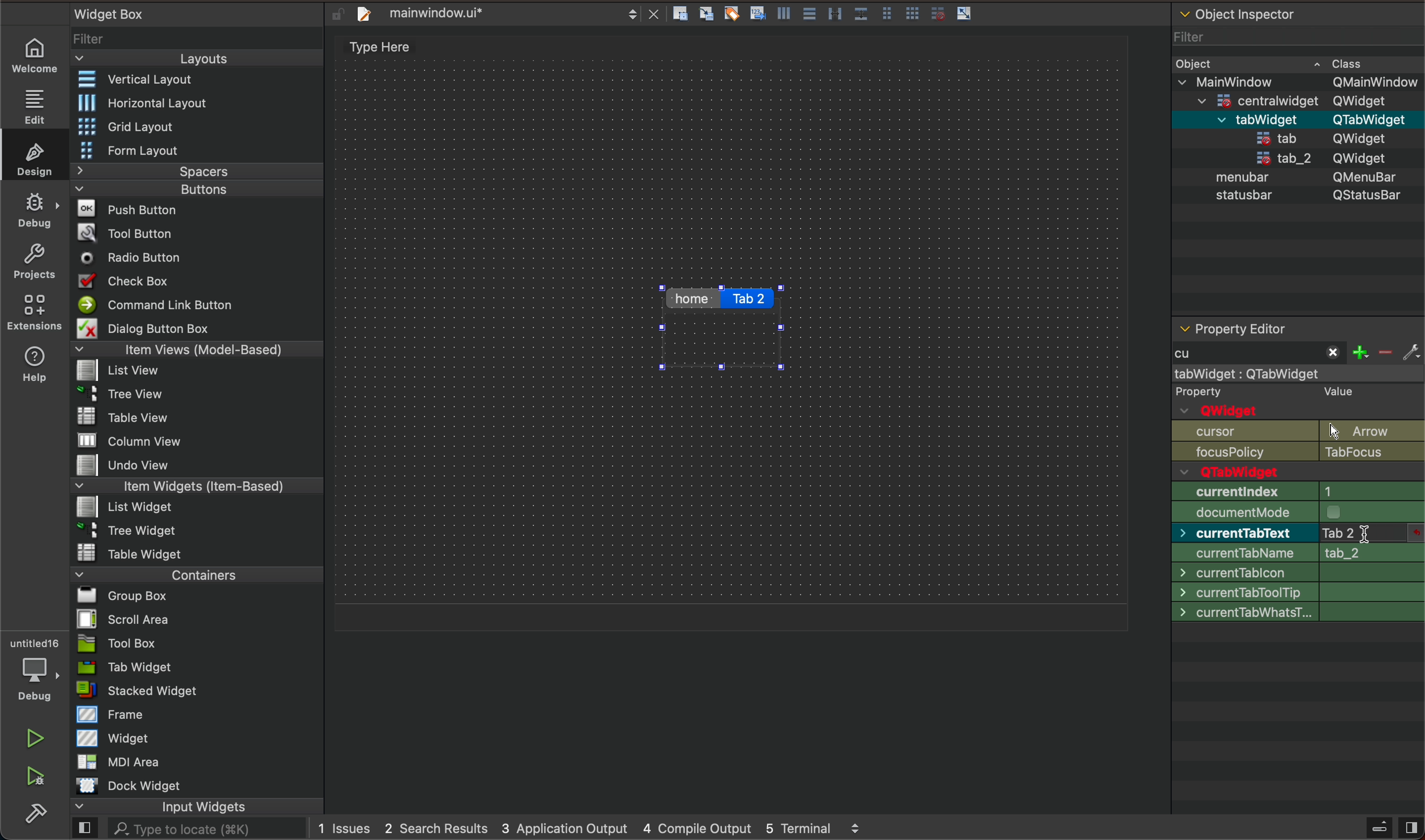  What do you see at coordinates (1247, 198) in the screenshot?
I see `statusbar` at bounding box center [1247, 198].